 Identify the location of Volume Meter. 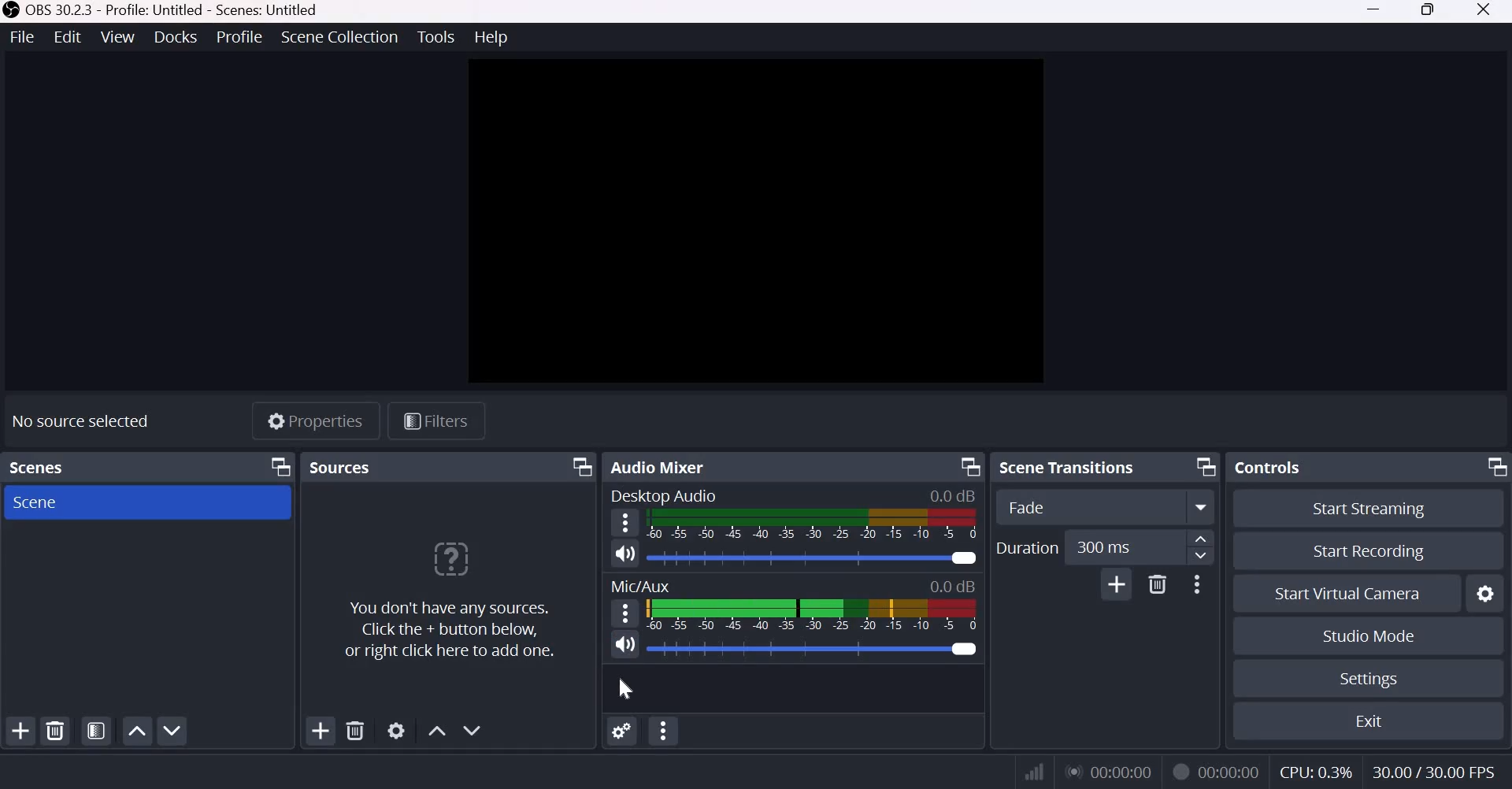
(811, 524).